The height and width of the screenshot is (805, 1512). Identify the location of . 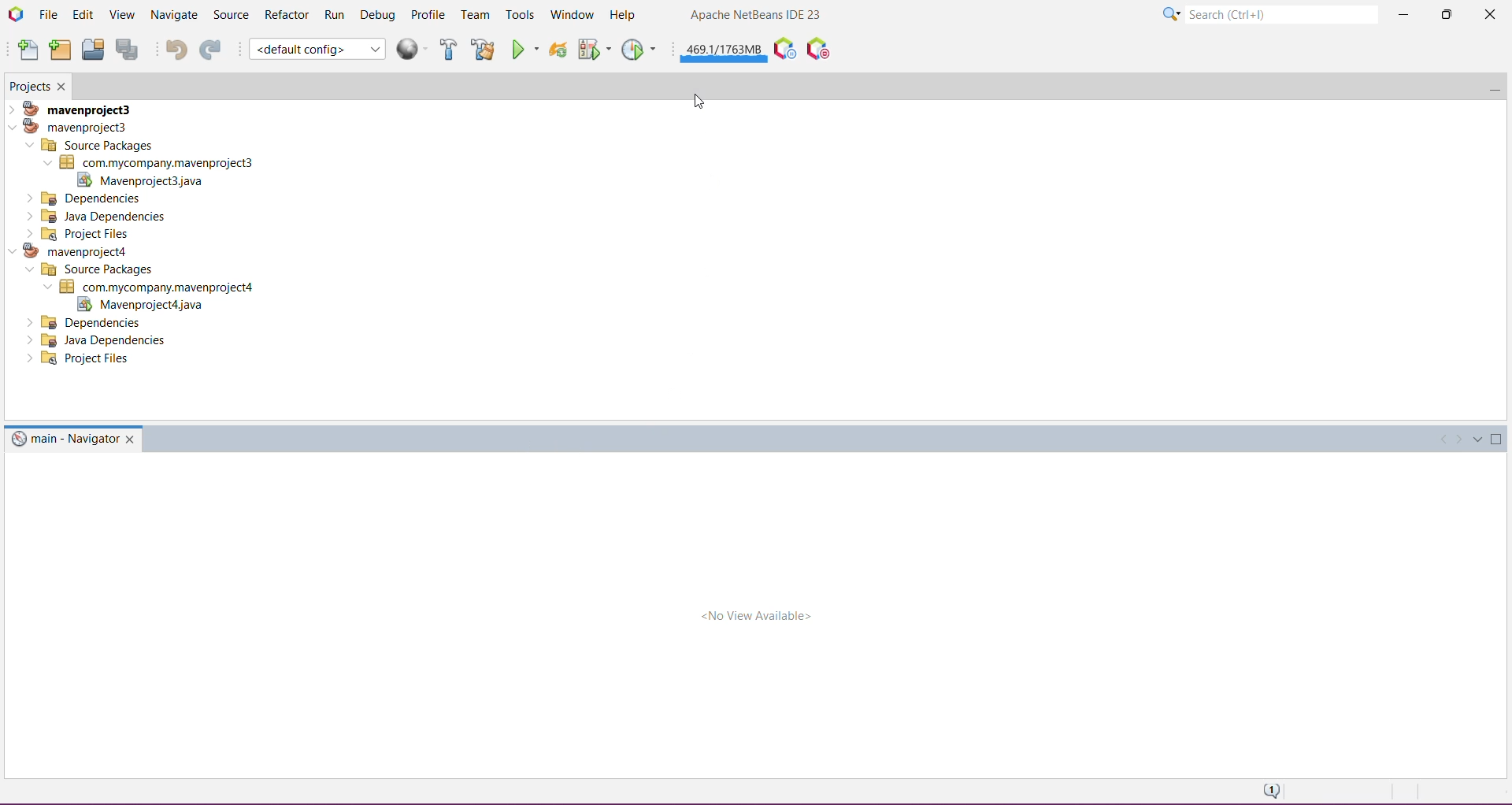
(414, 49).